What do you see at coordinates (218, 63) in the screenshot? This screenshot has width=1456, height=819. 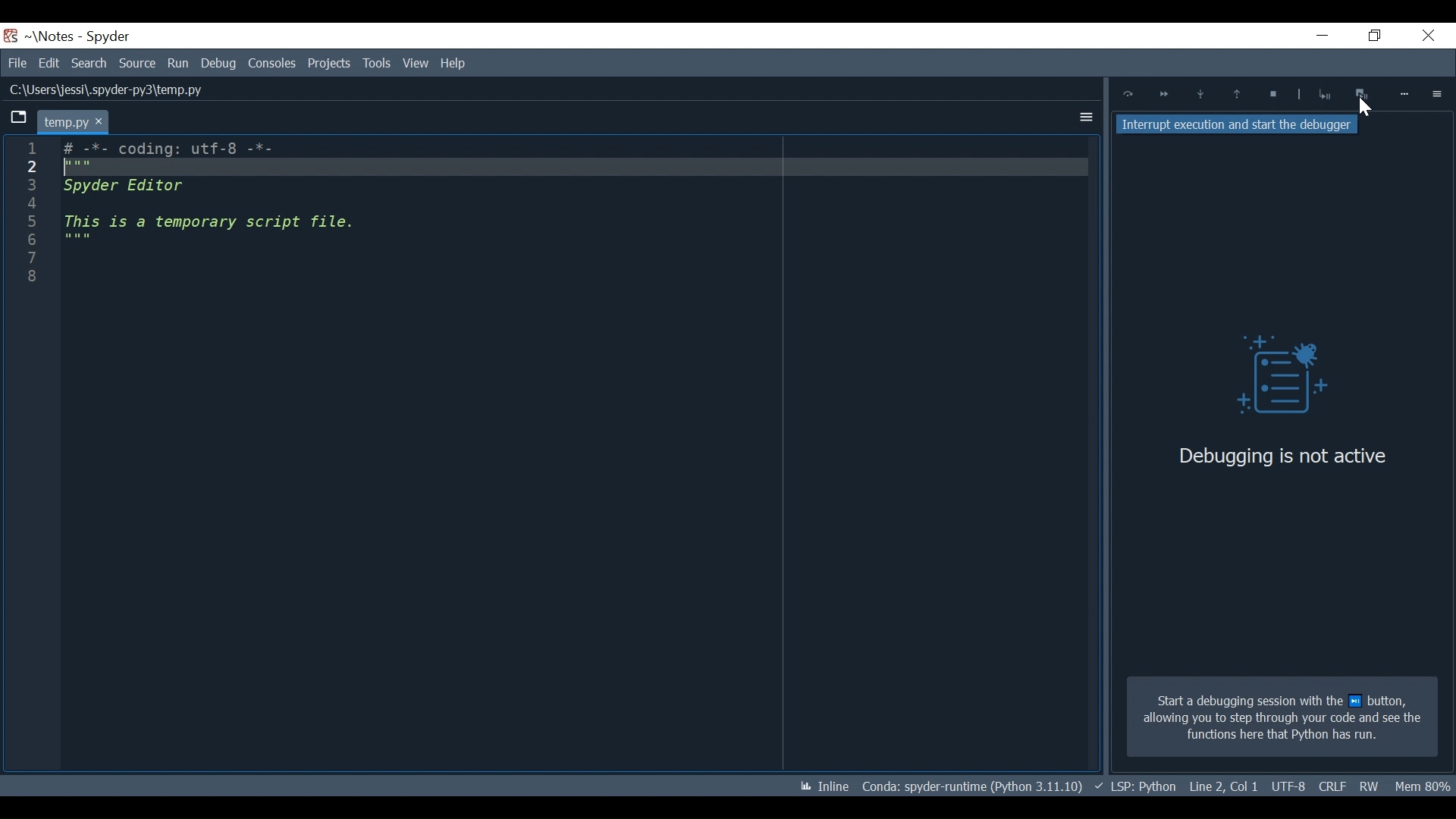 I see `Debug` at bounding box center [218, 63].